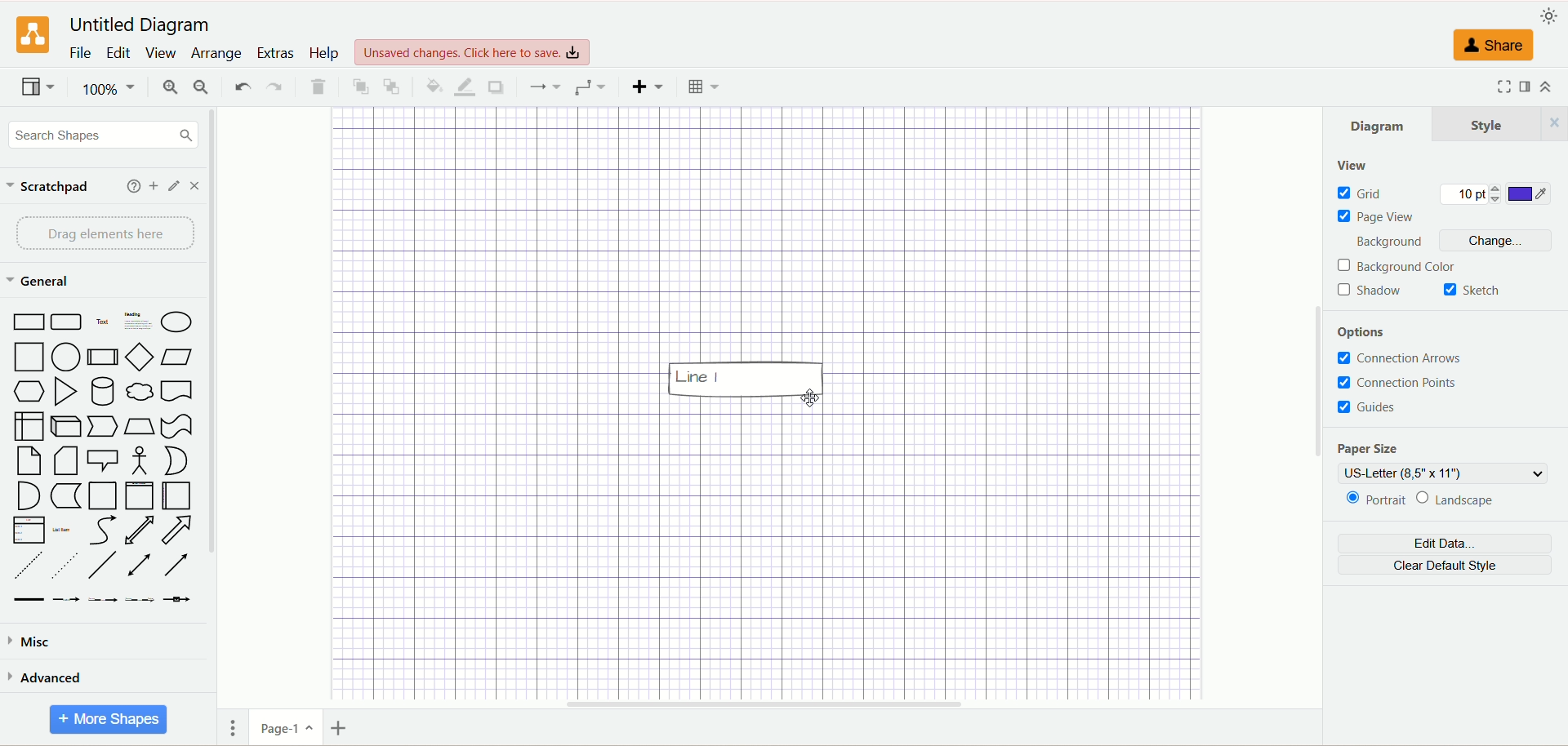 The height and width of the screenshot is (746, 1568). I want to click on shadow, so click(497, 87).